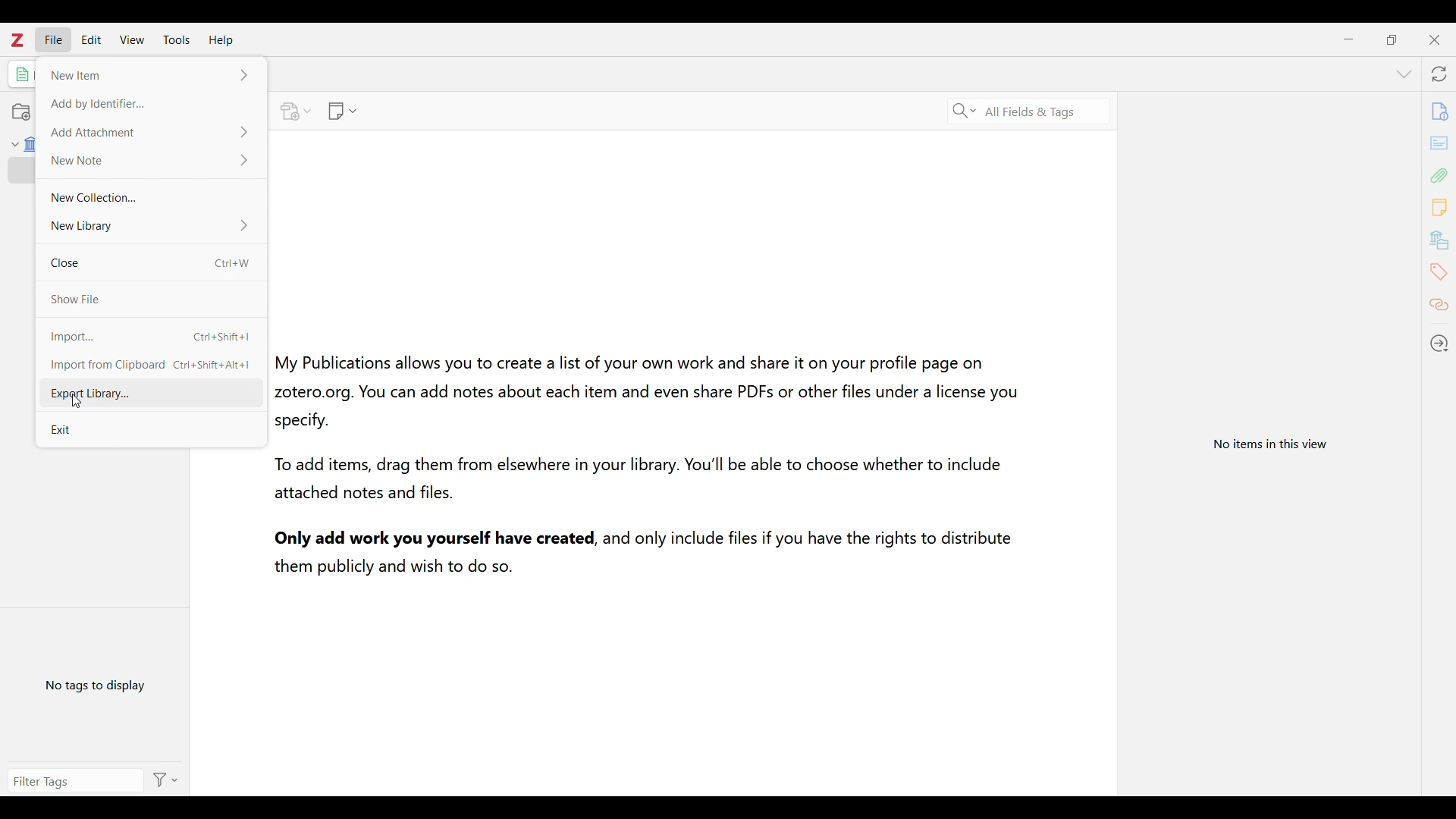 This screenshot has height=819, width=1456. I want to click on Abstract, so click(1439, 143).